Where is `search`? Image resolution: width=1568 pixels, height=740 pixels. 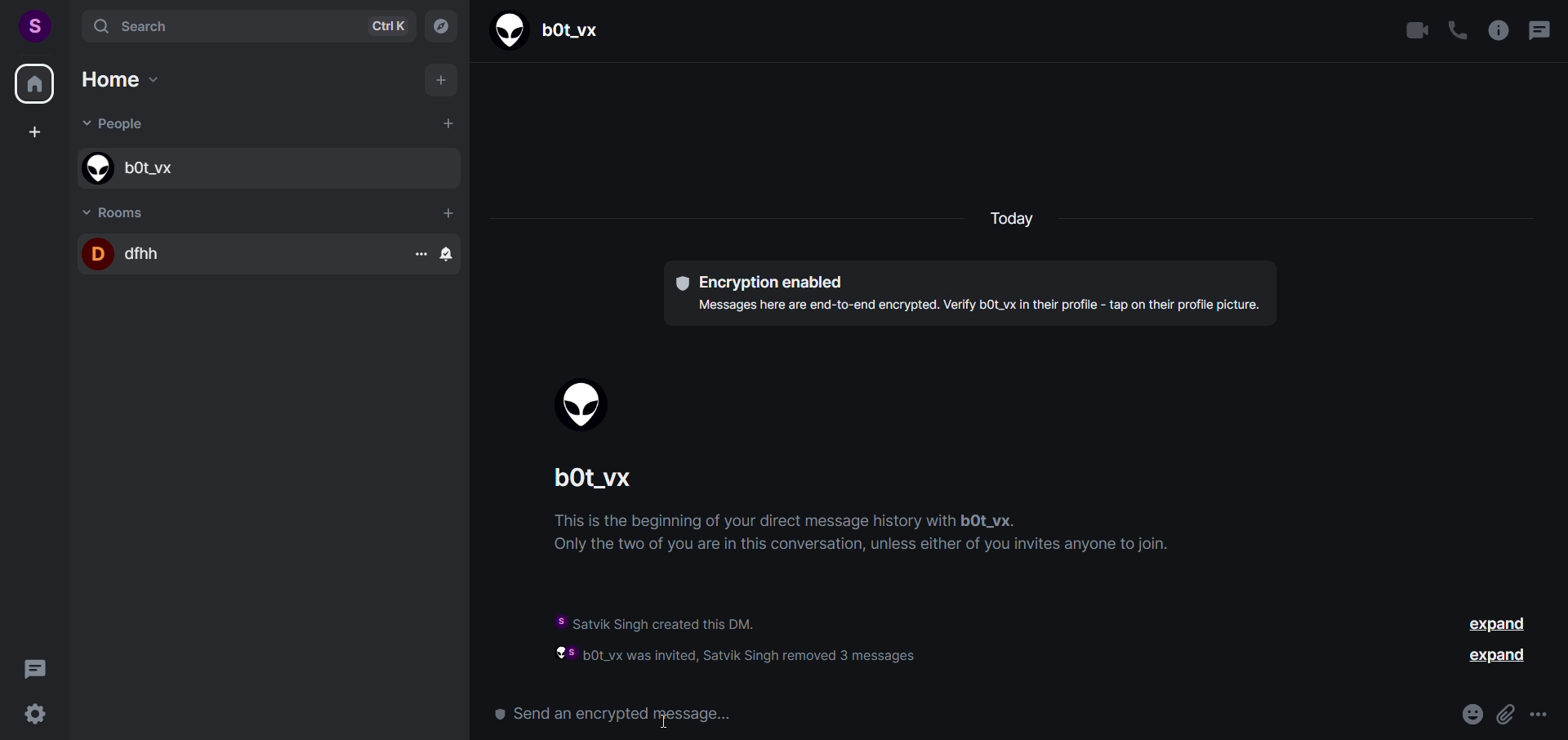 search is located at coordinates (241, 25).